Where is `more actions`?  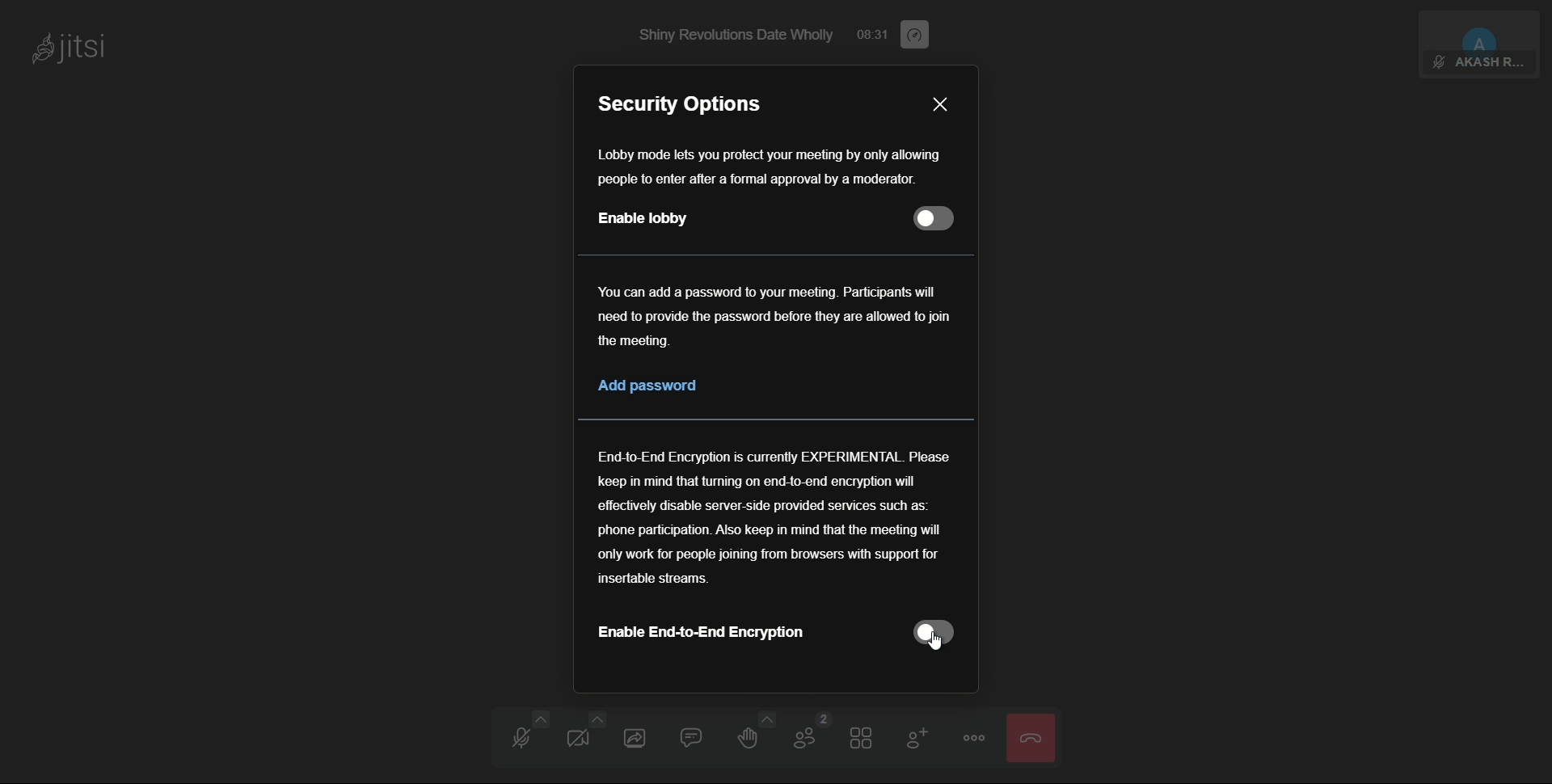 more actions is located at coordinates (973, 737).